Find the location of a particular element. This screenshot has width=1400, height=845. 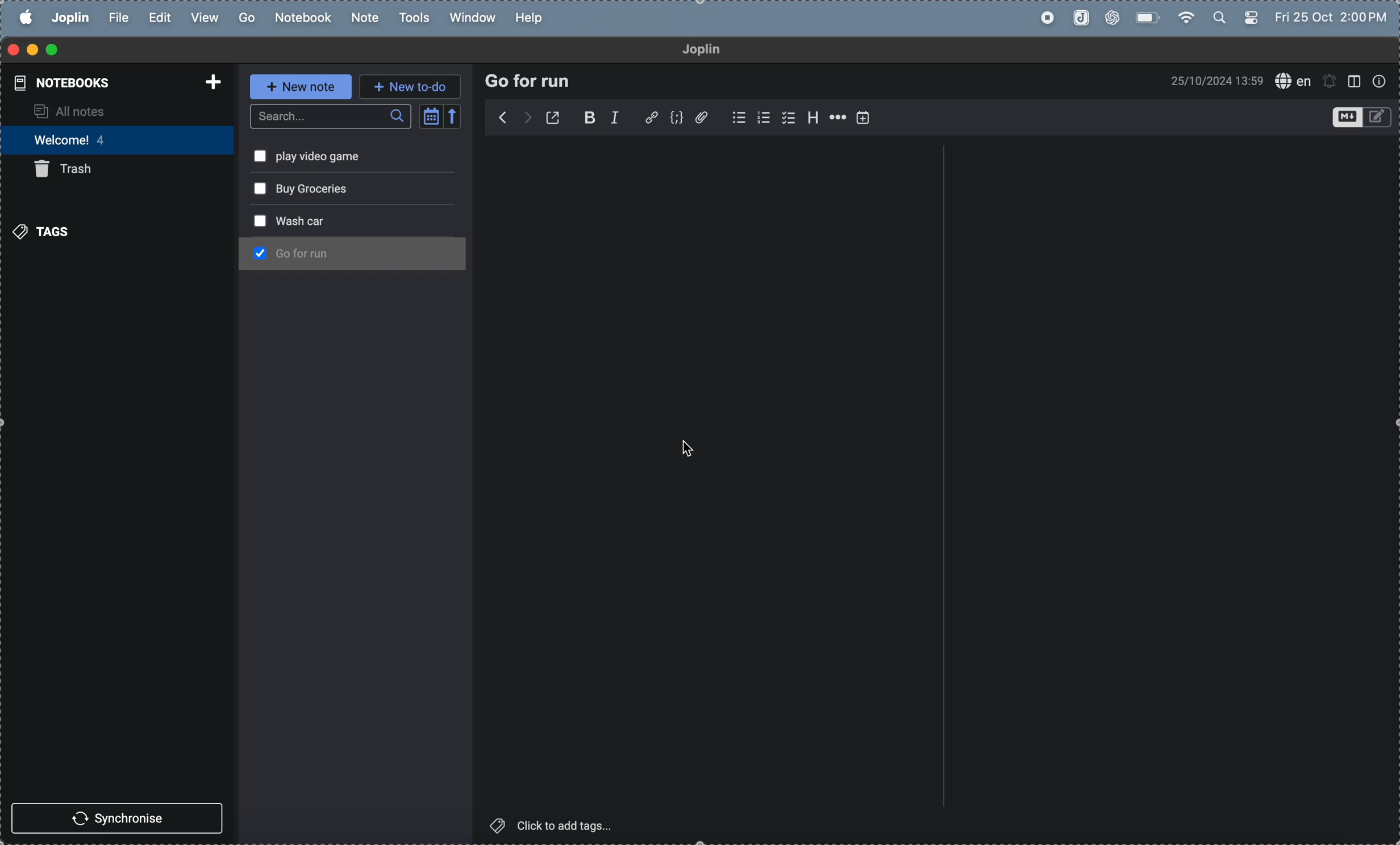

toggle edit is located at coordinates (1357, 116).